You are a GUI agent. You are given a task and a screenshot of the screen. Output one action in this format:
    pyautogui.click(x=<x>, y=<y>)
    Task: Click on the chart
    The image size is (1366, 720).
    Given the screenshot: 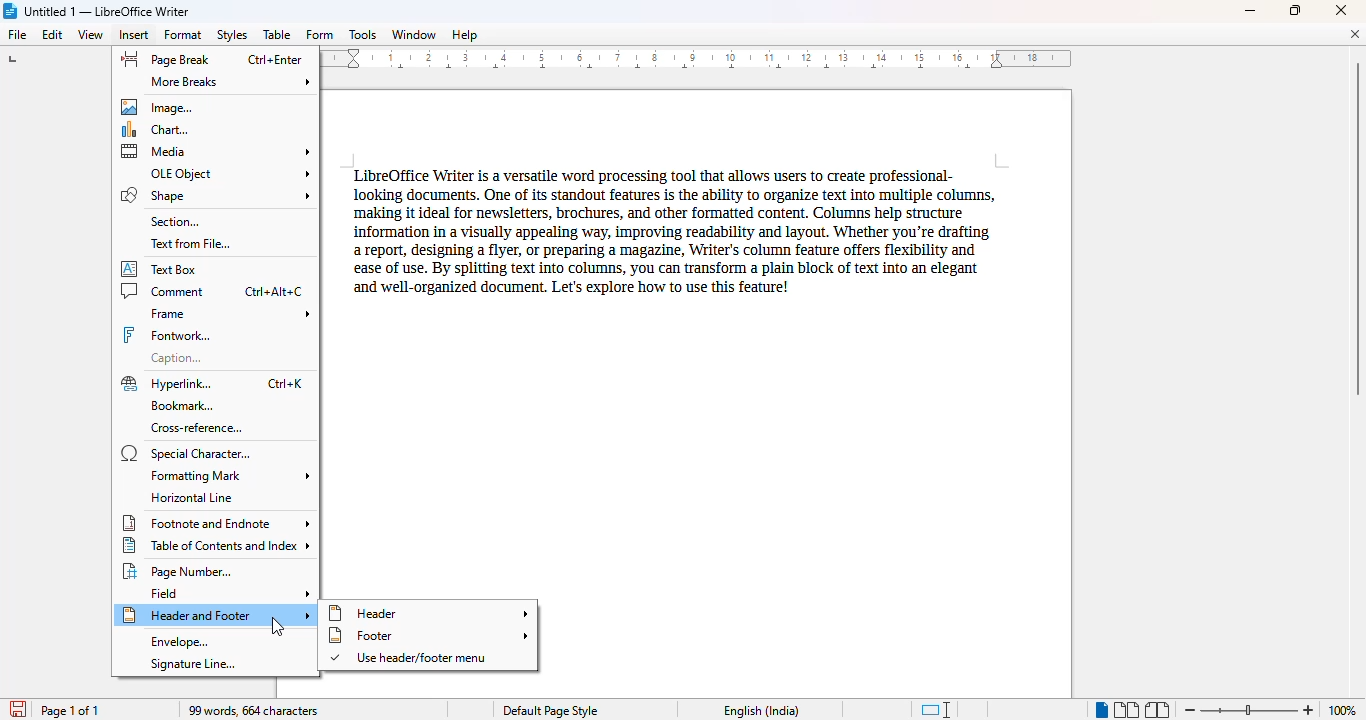 What is the action you would take?
    pyautogui.click(x=161, y=131)
    